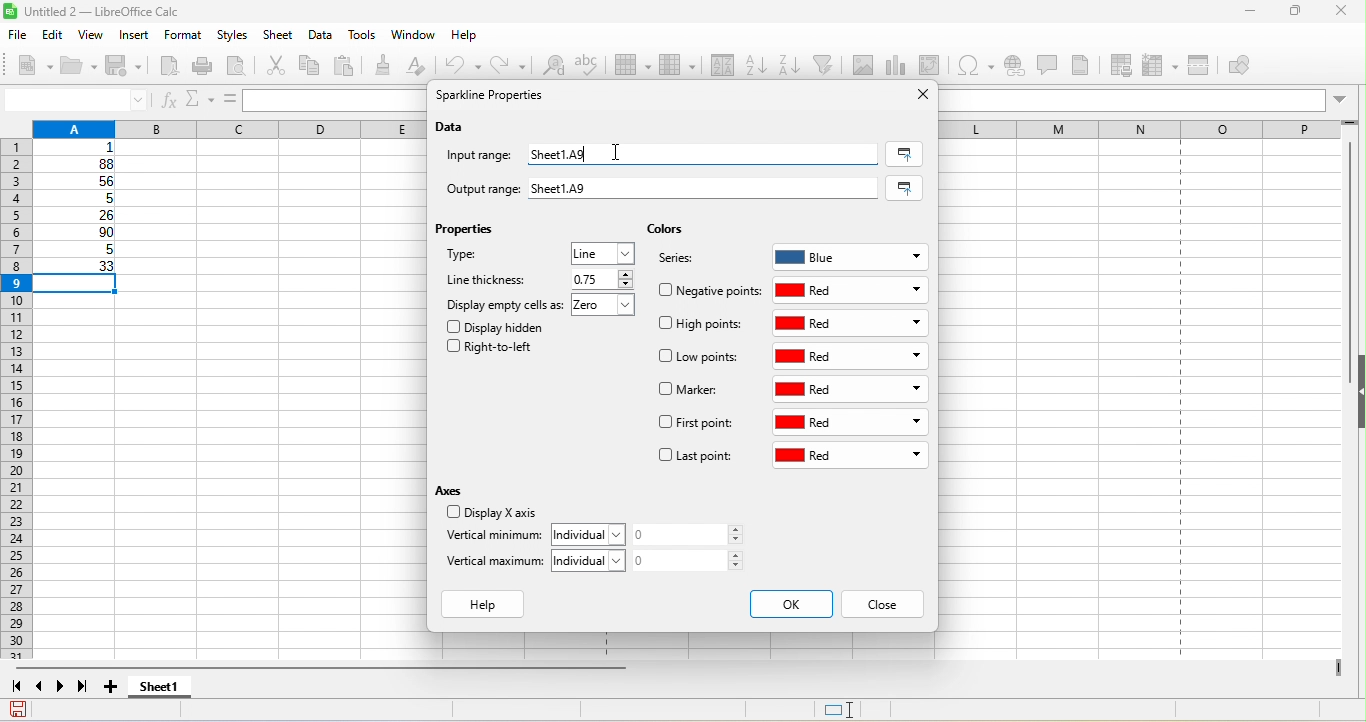  What do you see at coordinates (489, 279) in the screenshot?
I see `line thickness` at bounding box center [489, 279].